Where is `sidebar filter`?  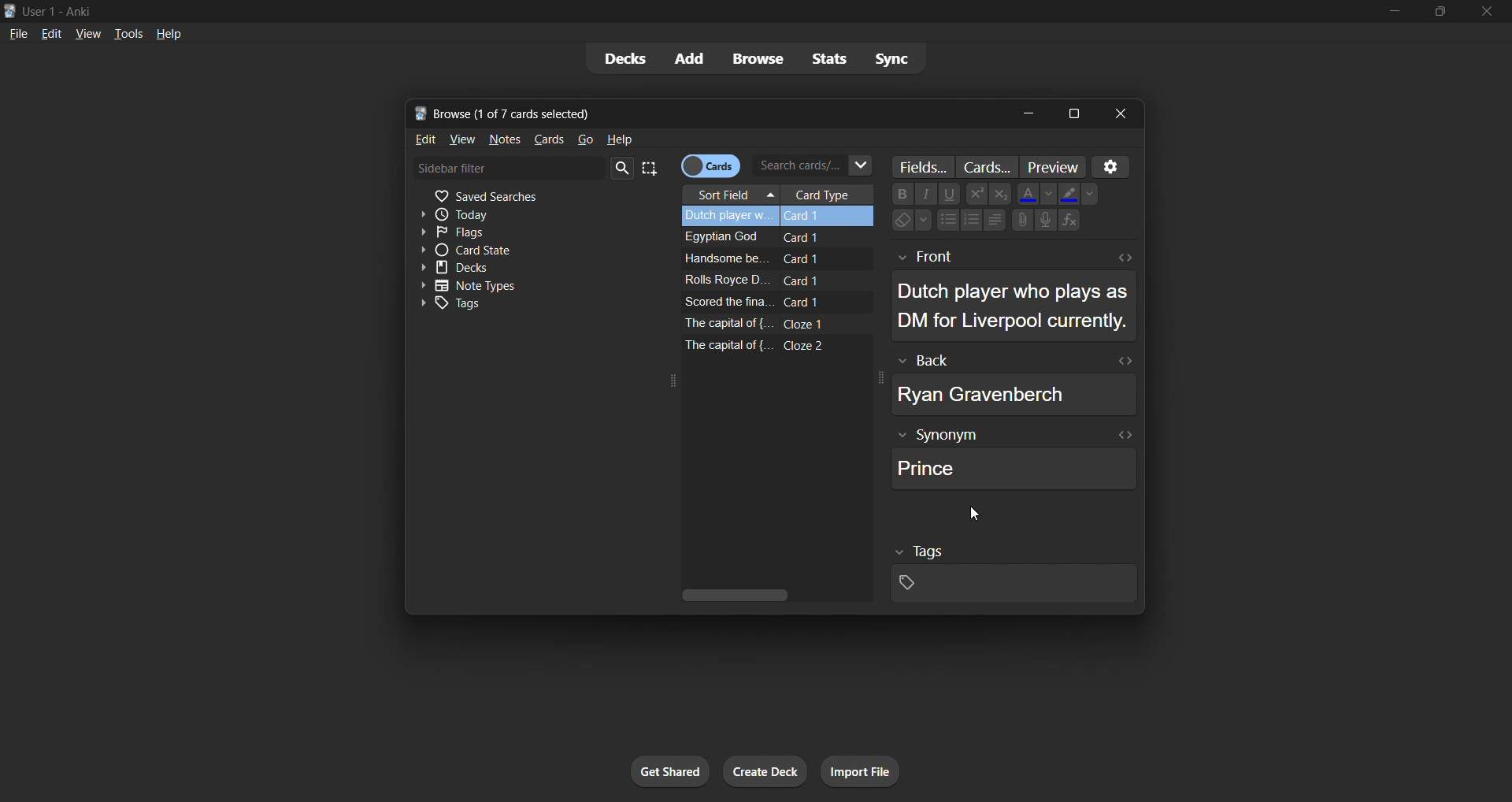
sidebar filter is located at coordinates (521, 170).